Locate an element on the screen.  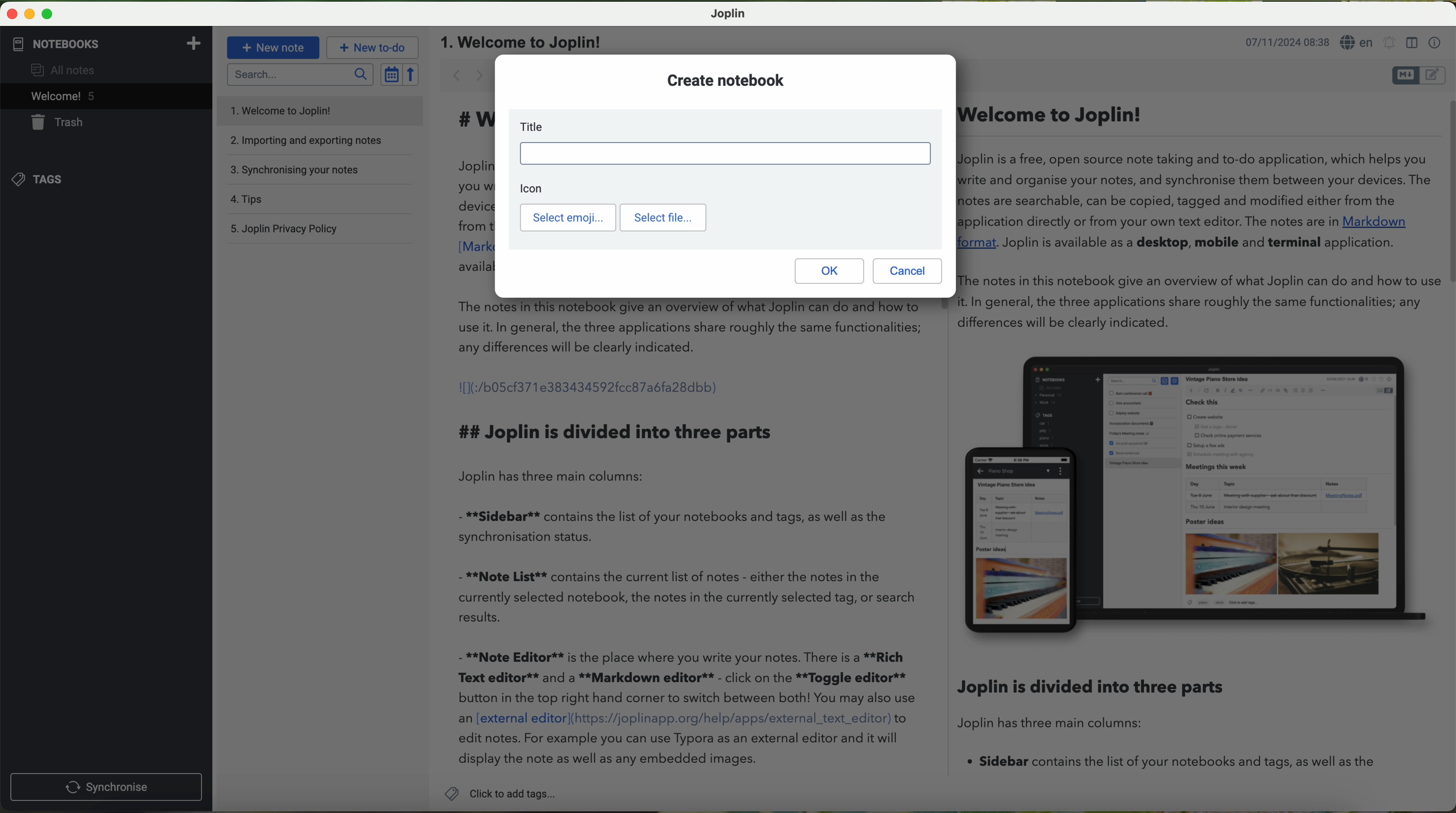
pointer on the notebooks button is located at coordinates (75, 44).